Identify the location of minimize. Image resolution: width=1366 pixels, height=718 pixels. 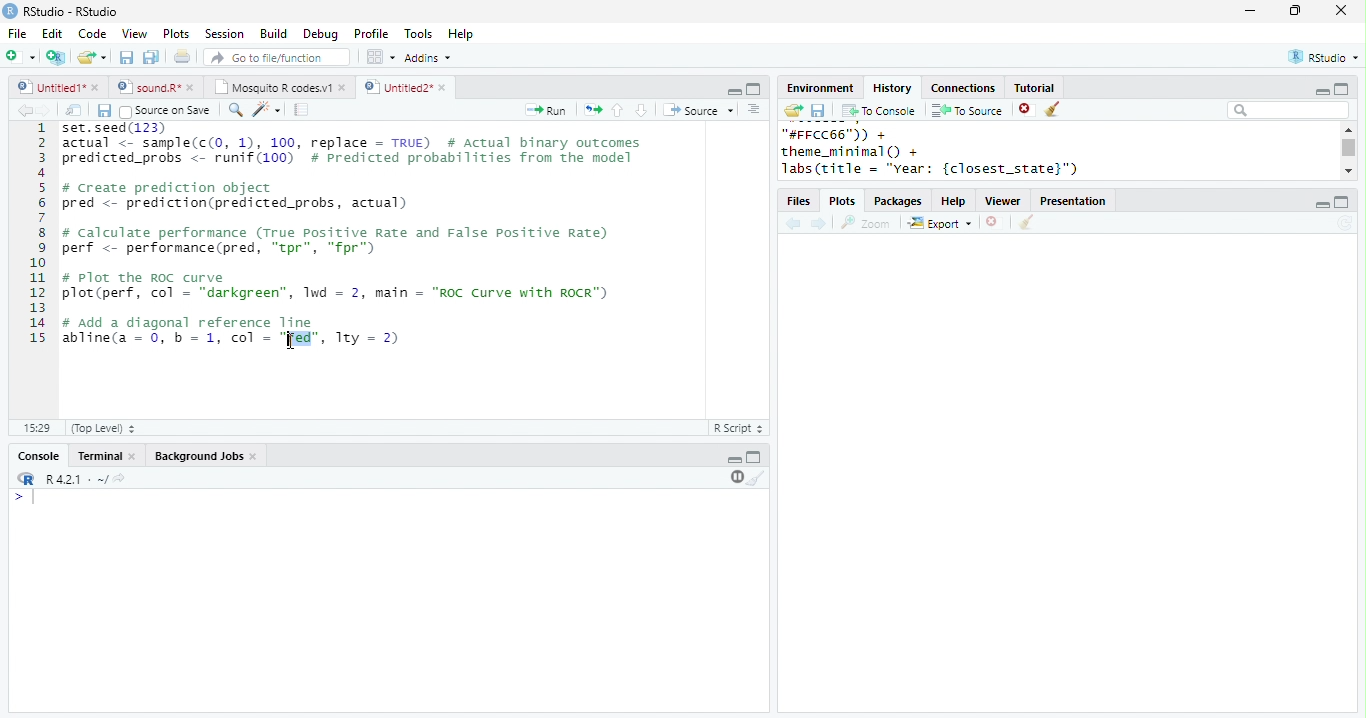
(1321, 205).